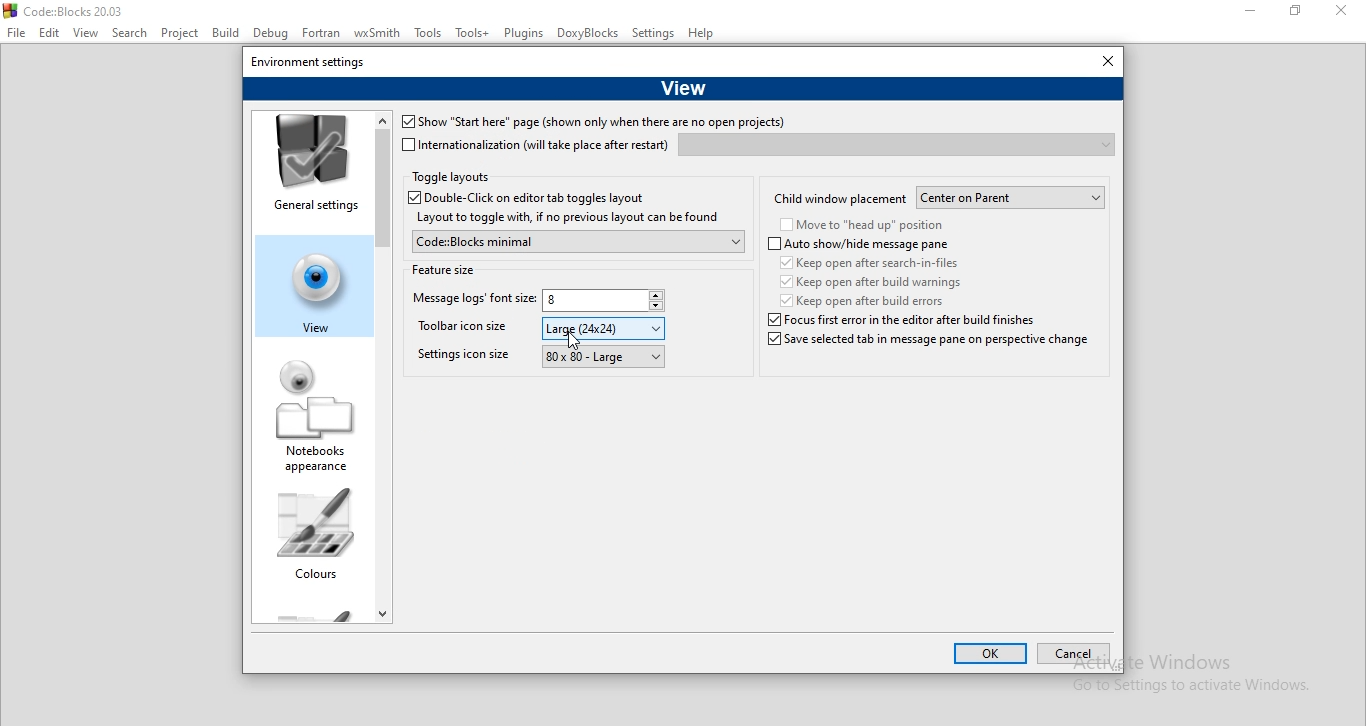 This screenshot has height=726, width=1366. I want to click on scroll bar, so click(383, 364).